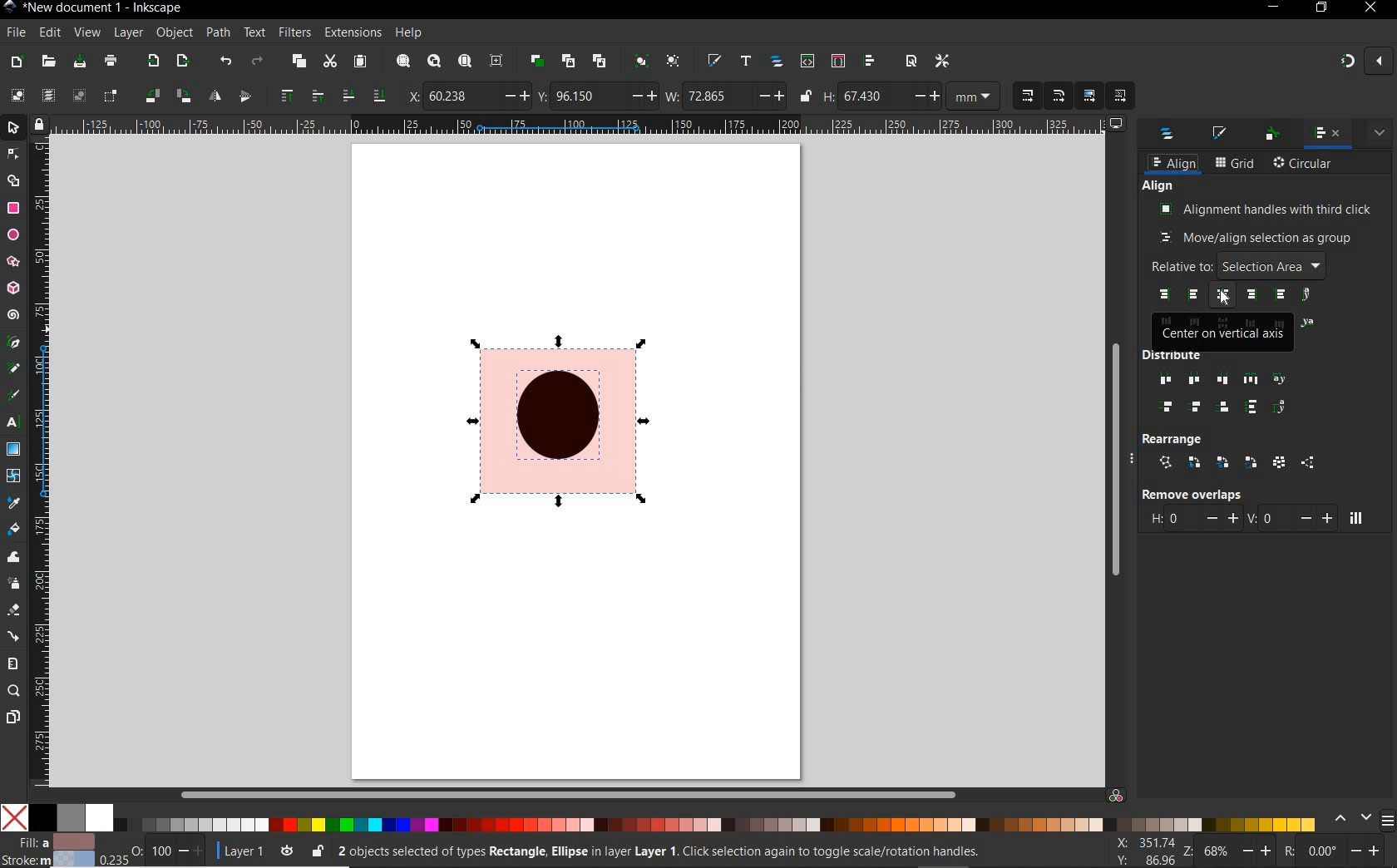 The width and height of the screenshot is (1397, 868). I want to click on move/align selection as group, so click(1256, 239).